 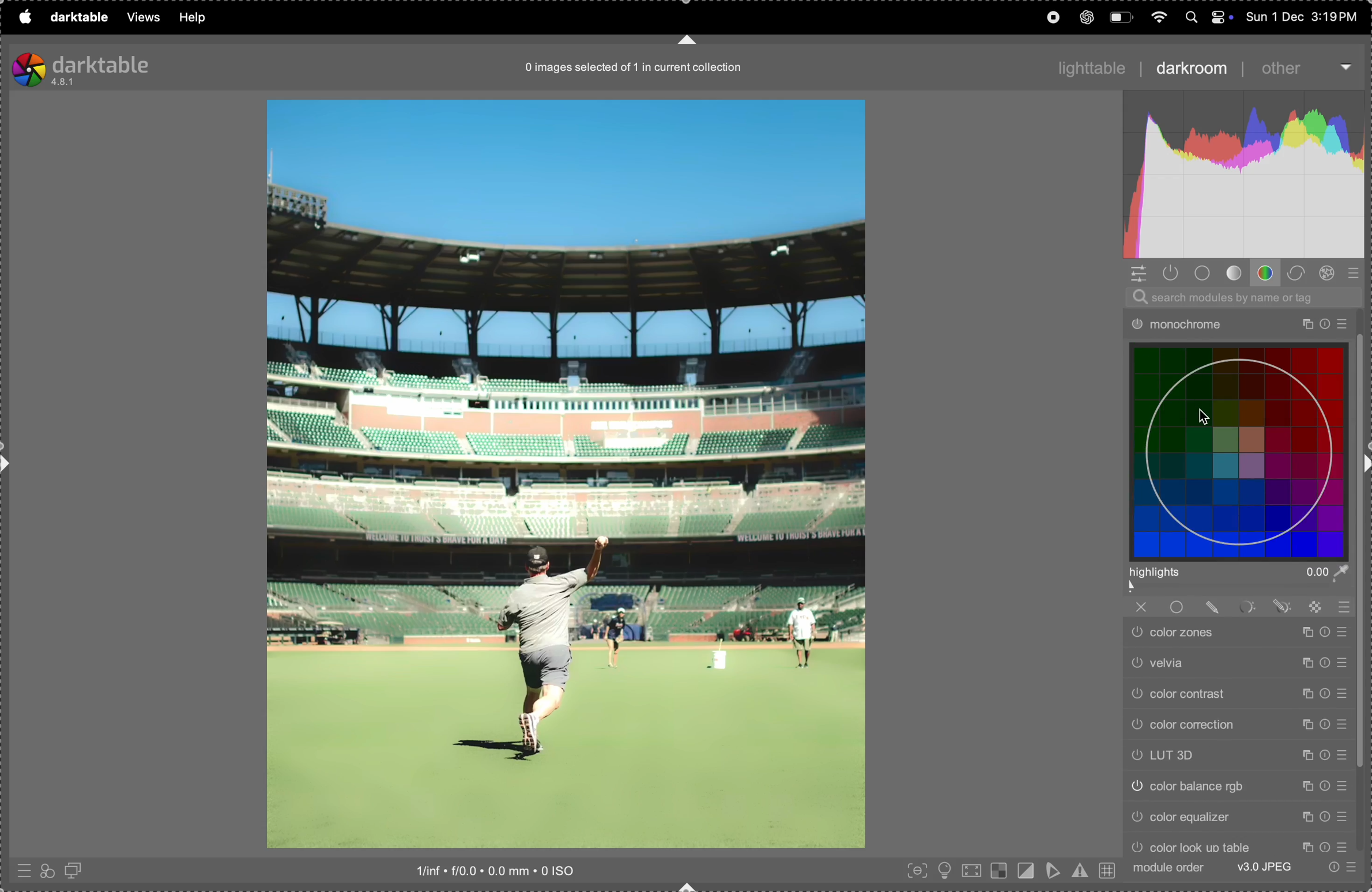 What do you see at coordinates (1237, 696) in the screenshot?
I see `color contrast` at bounding box center [1237, 696].